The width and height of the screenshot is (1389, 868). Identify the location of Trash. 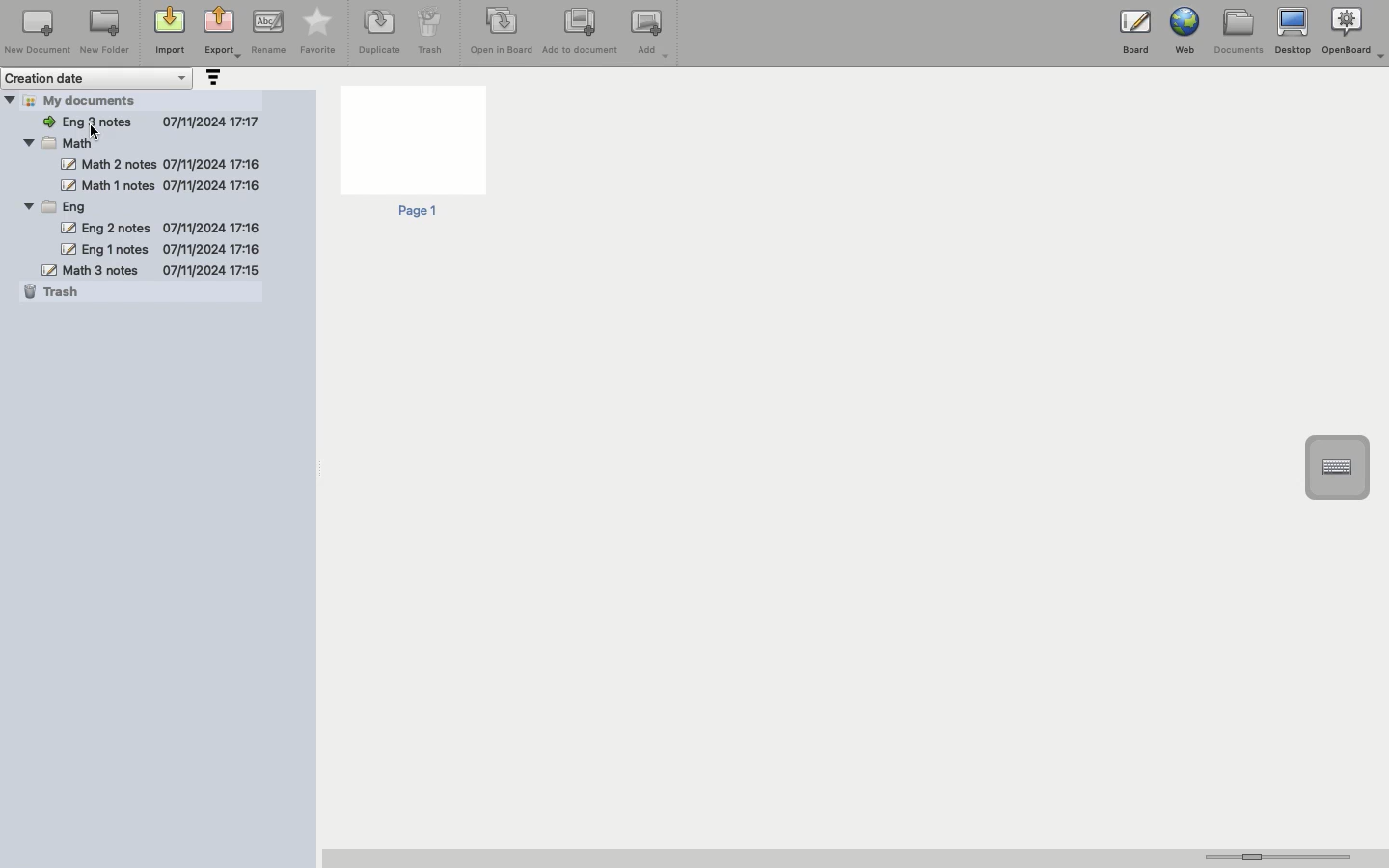
(430, 31).